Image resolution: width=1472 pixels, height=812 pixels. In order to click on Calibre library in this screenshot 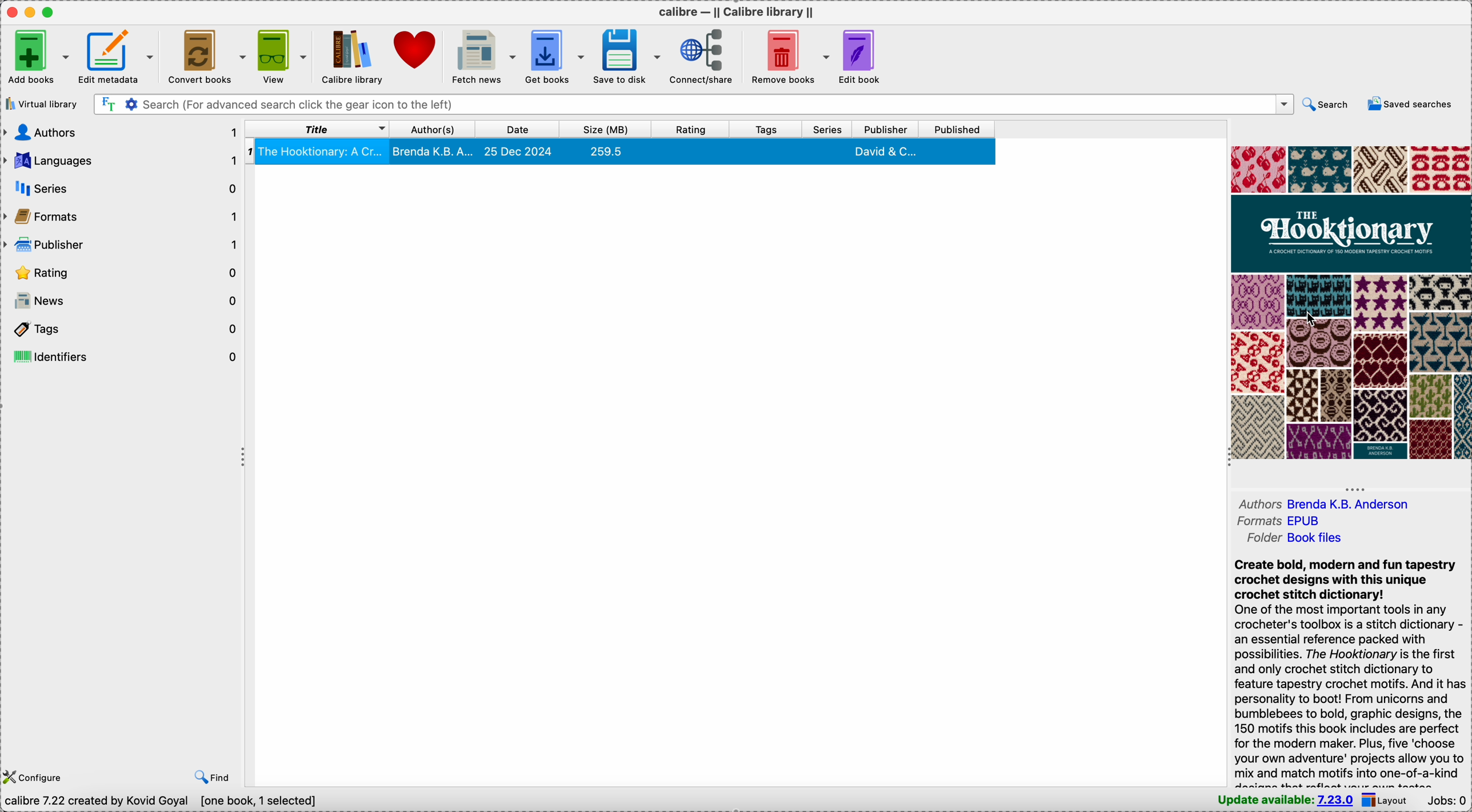, I will do `click(349, 55)`.